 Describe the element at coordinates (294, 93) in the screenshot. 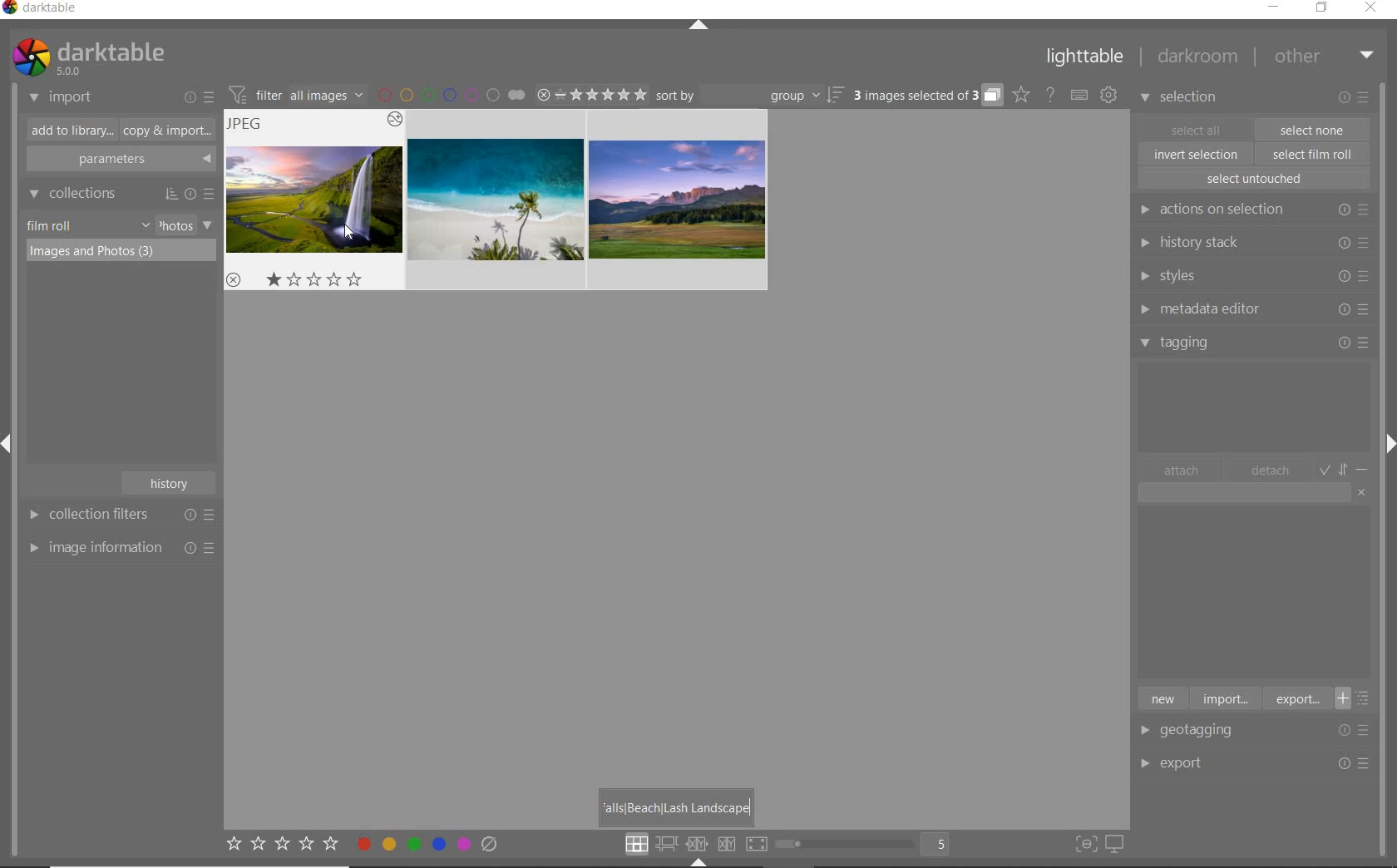

I see `filter images based on their module order` at that location.